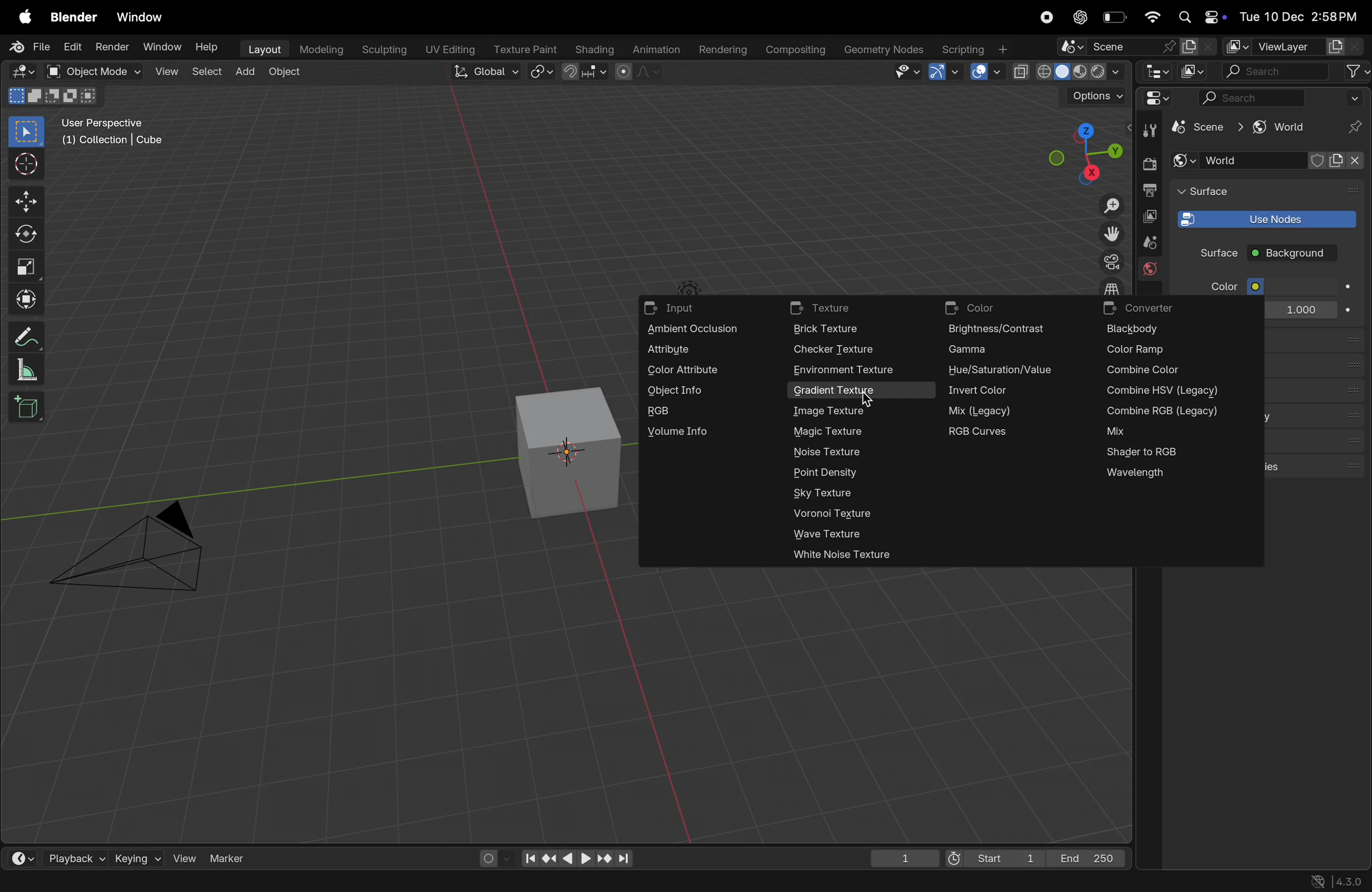 This screenshot has width=1372, height=892. Describe the element at coordinates (991, 855) in the screenshot. I see `start` at that location.